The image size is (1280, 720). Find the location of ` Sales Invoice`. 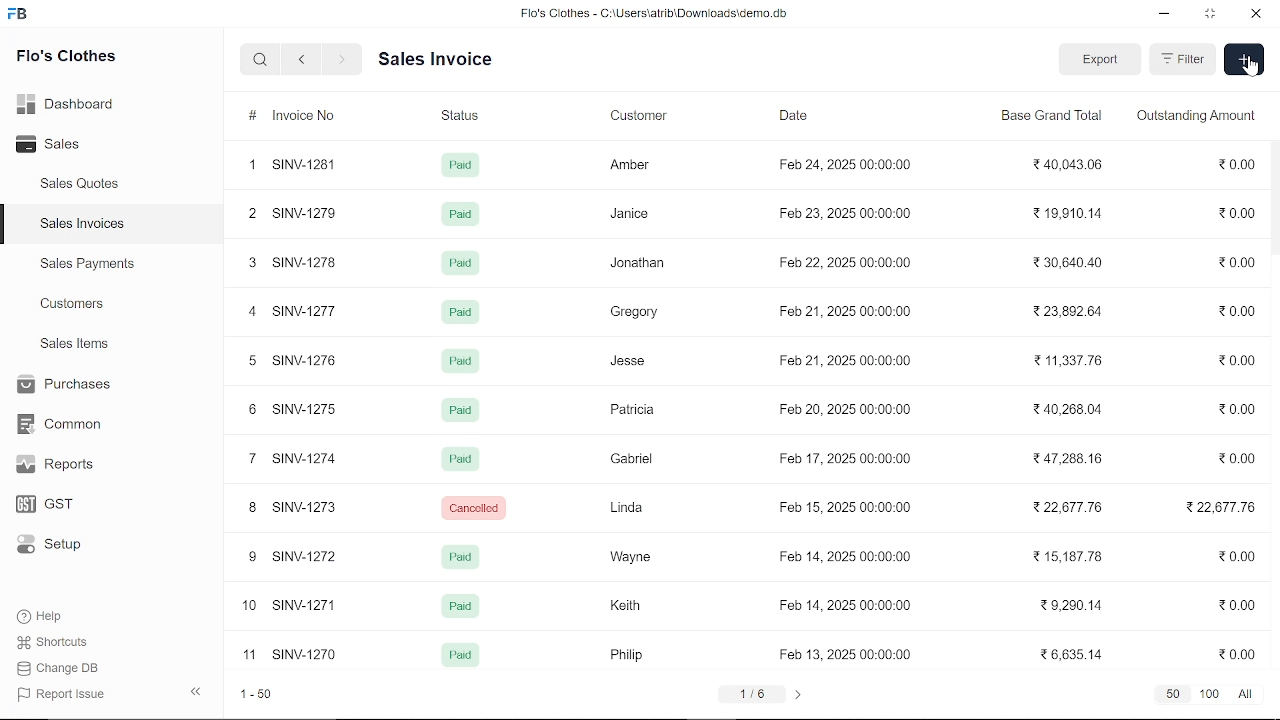

 Sales Invoice is located at coordinates (446, 61).